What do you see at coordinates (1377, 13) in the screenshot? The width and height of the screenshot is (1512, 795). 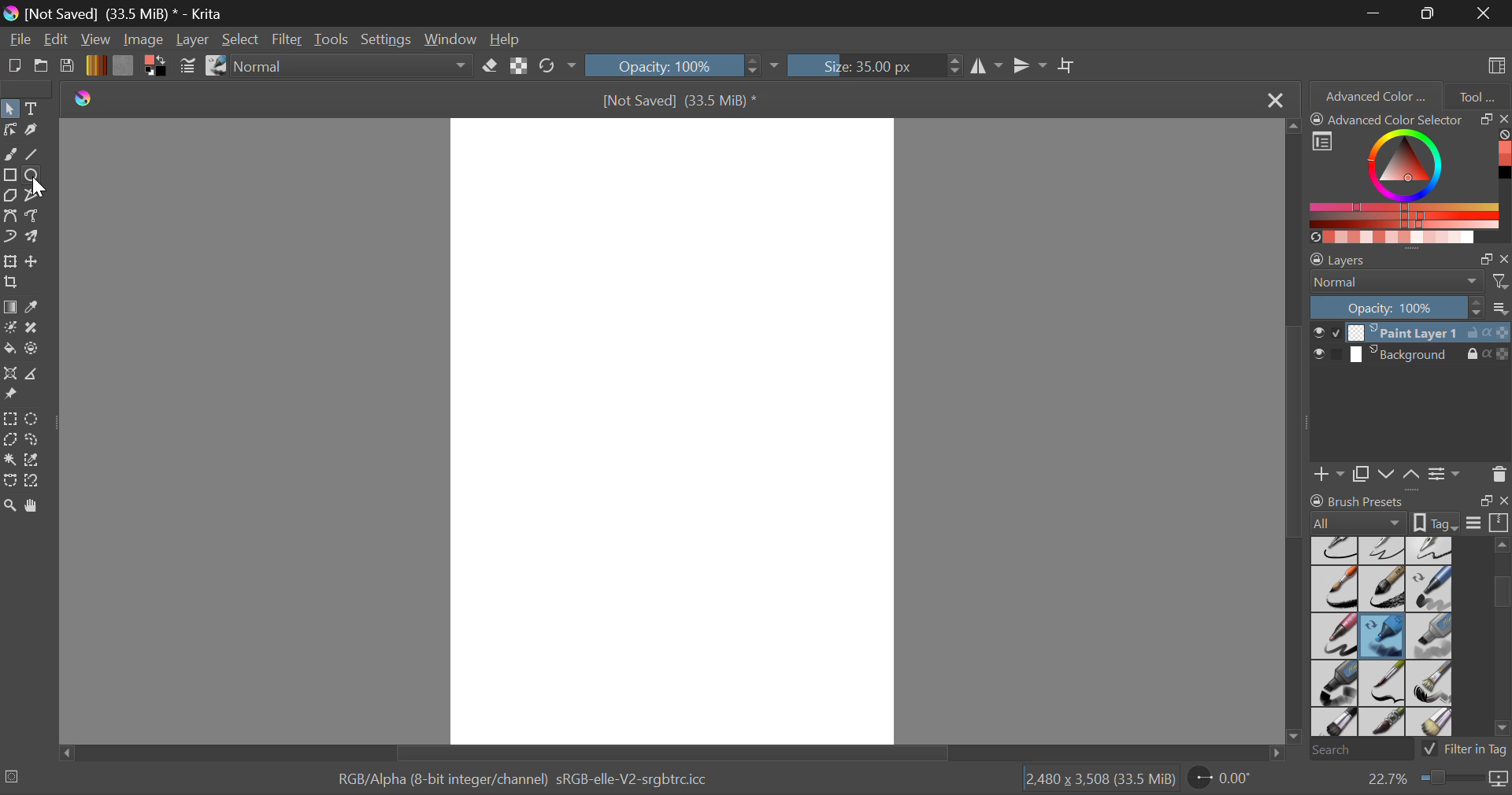 I see `Restore Down` at bounding box center [1377, 13].